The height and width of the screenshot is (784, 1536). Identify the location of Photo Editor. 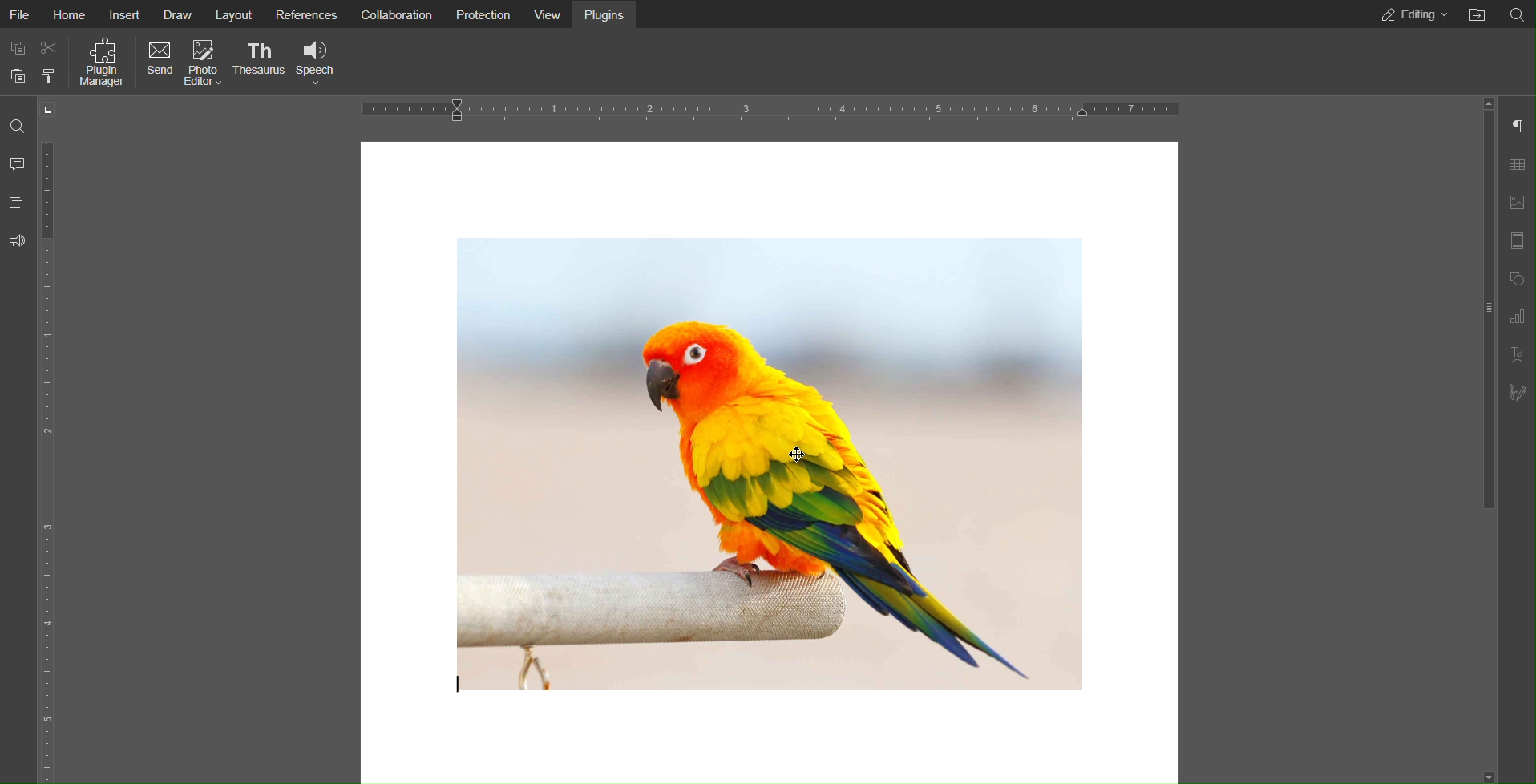
(208, 61).